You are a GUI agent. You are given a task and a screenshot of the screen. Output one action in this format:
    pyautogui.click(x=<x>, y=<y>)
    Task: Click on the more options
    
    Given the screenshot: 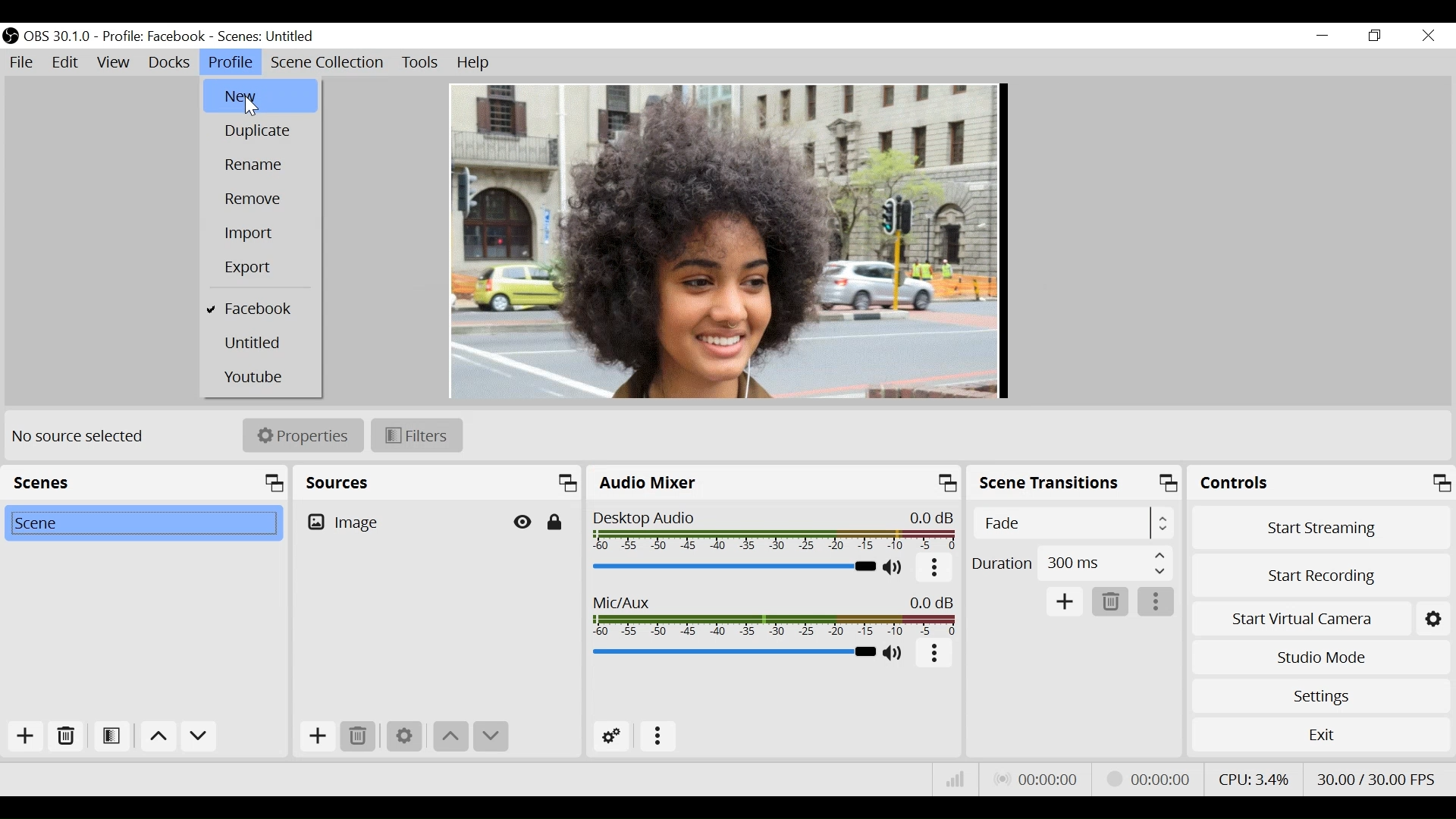 What is the action you would take?
    pyautogui.click(x=934, y=655)
    